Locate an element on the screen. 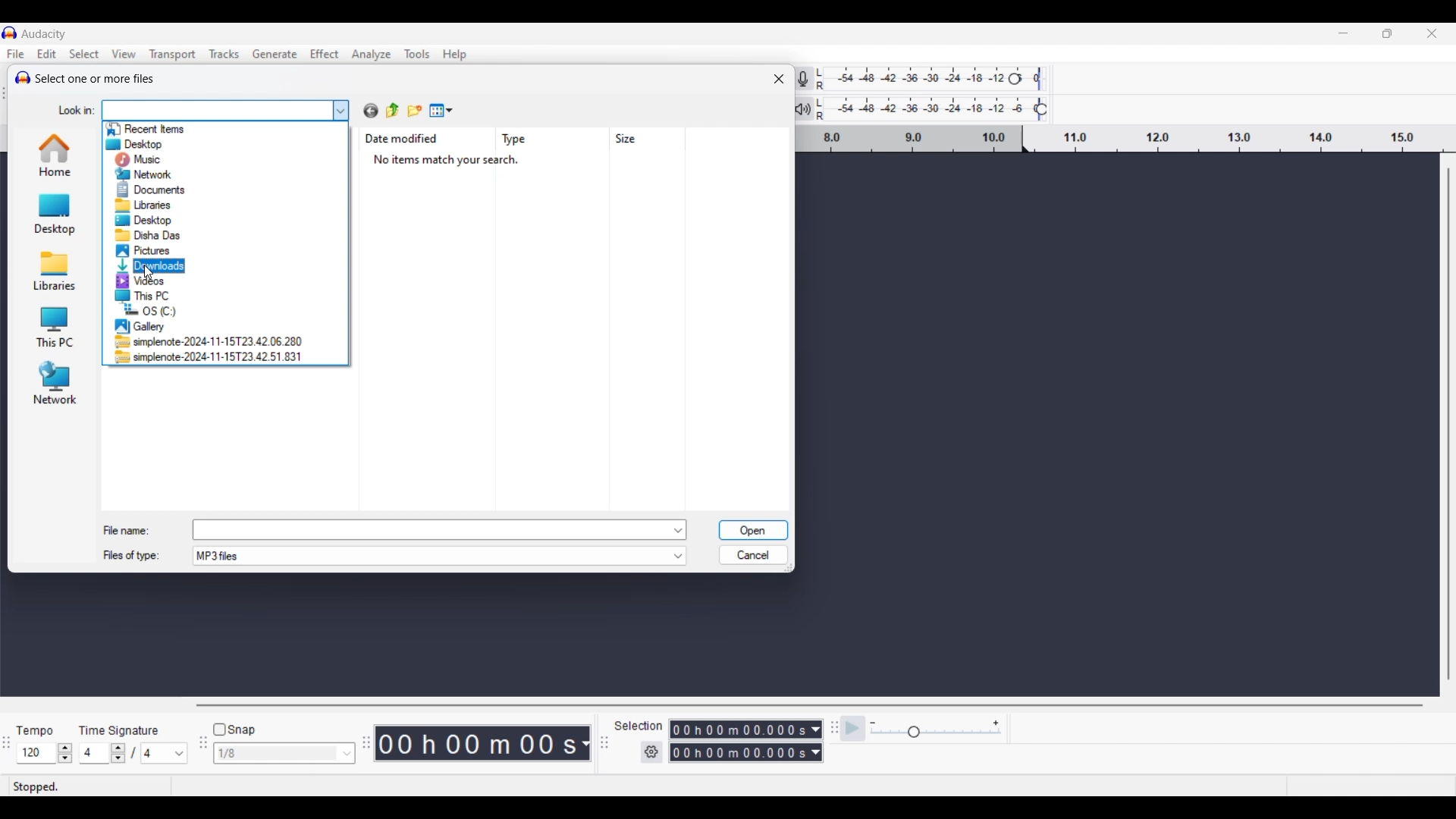 This screenshot has height=819, width=1456. Type column is located at coordinates (519, 140).